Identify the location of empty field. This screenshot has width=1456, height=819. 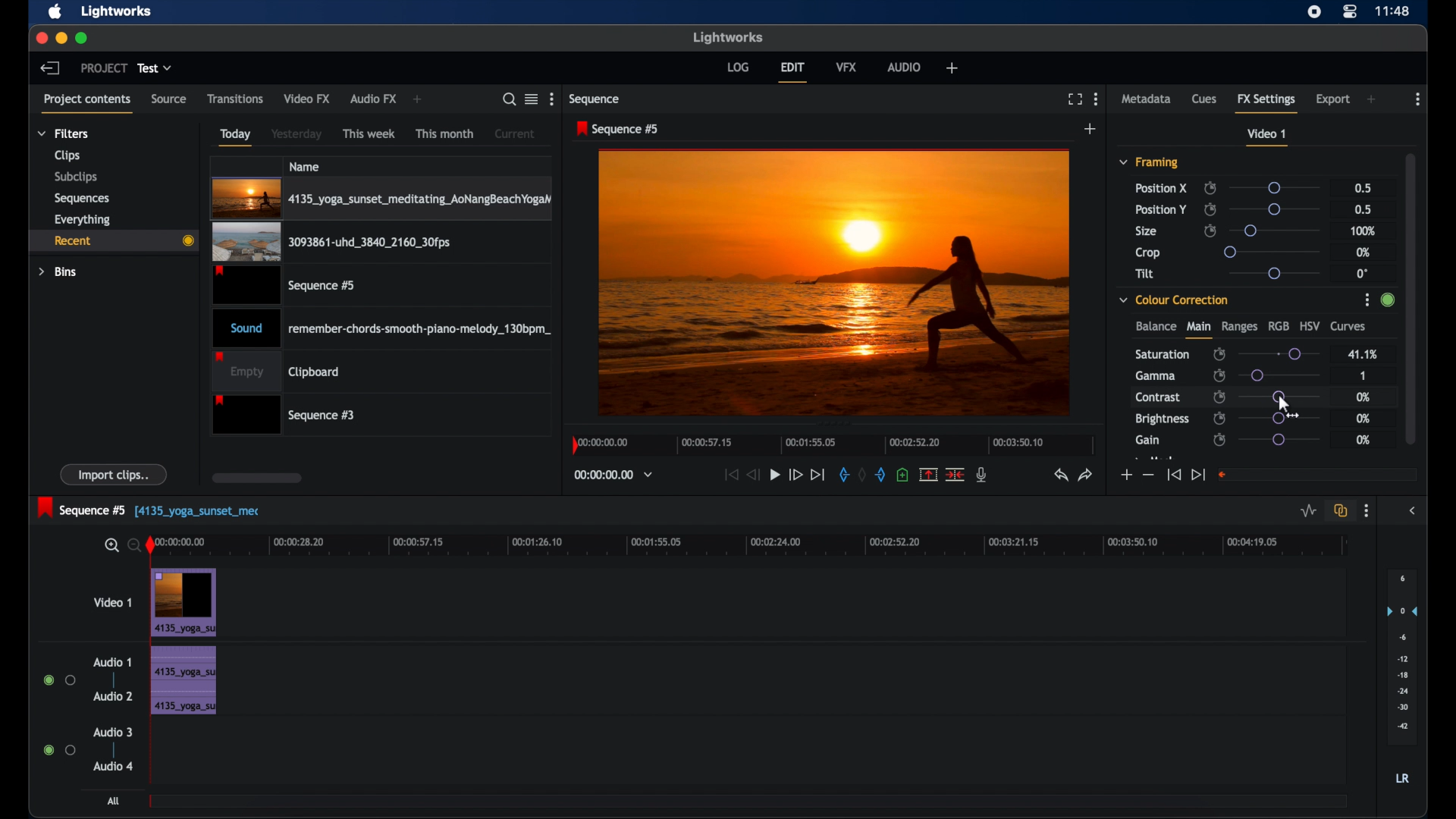
(1318, 474).